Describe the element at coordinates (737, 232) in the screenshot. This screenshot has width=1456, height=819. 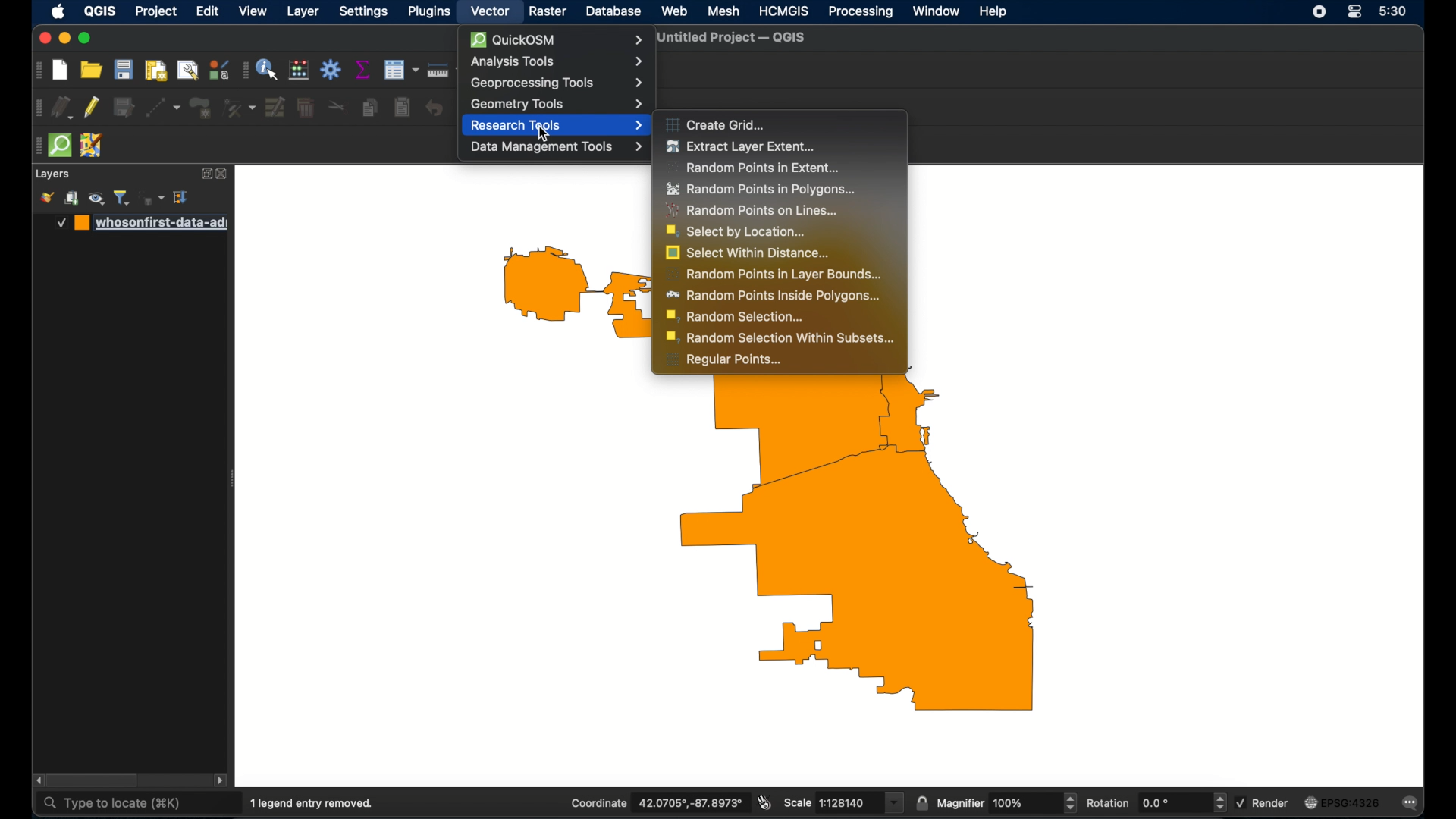
I see `select by location` at that location.